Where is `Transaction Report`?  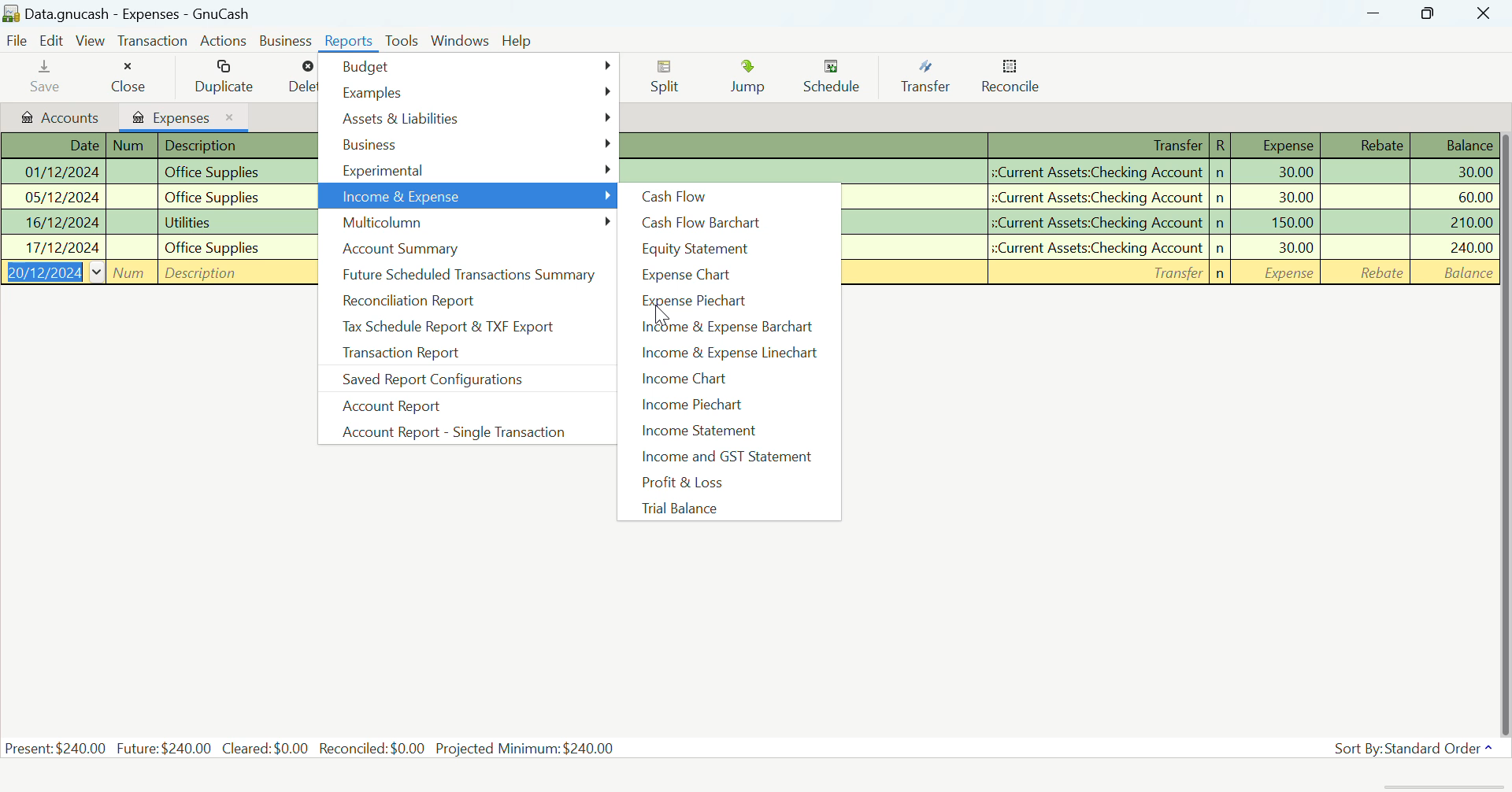 Transaction Report is located at coordinates (444, 355).